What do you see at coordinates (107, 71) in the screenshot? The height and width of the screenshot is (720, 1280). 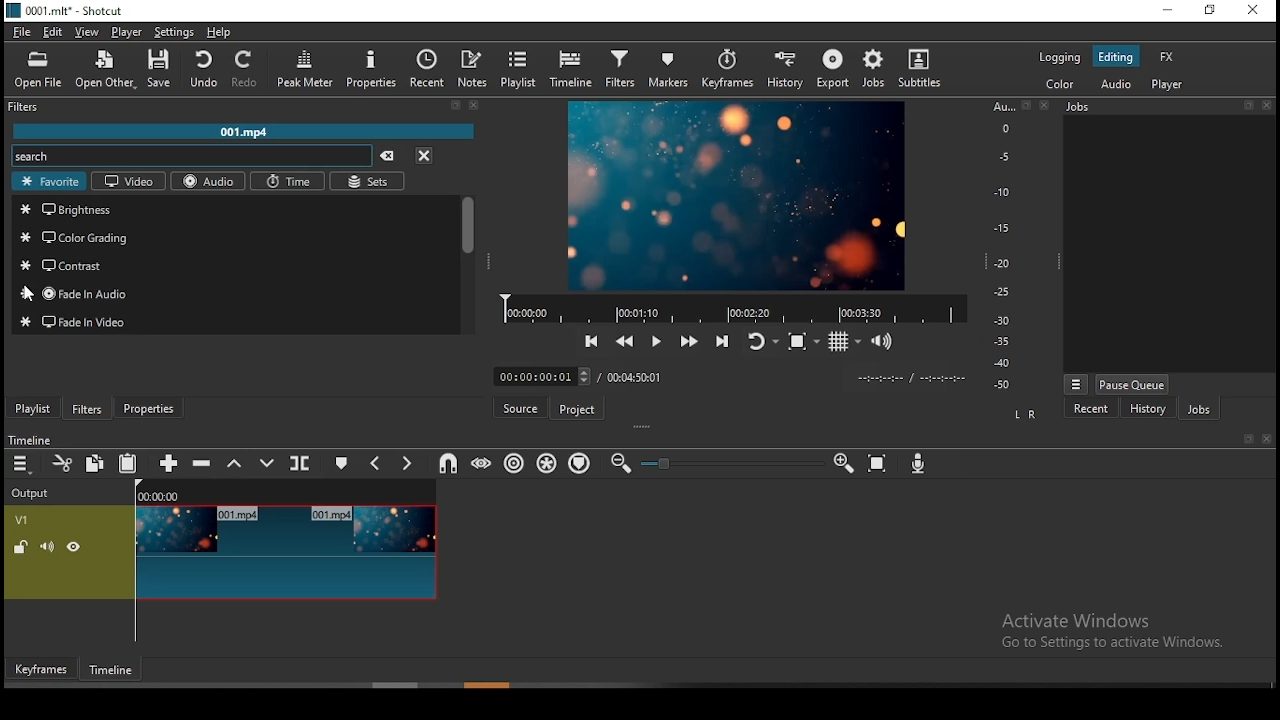 I see `open other` at bounding box center [107, 71].